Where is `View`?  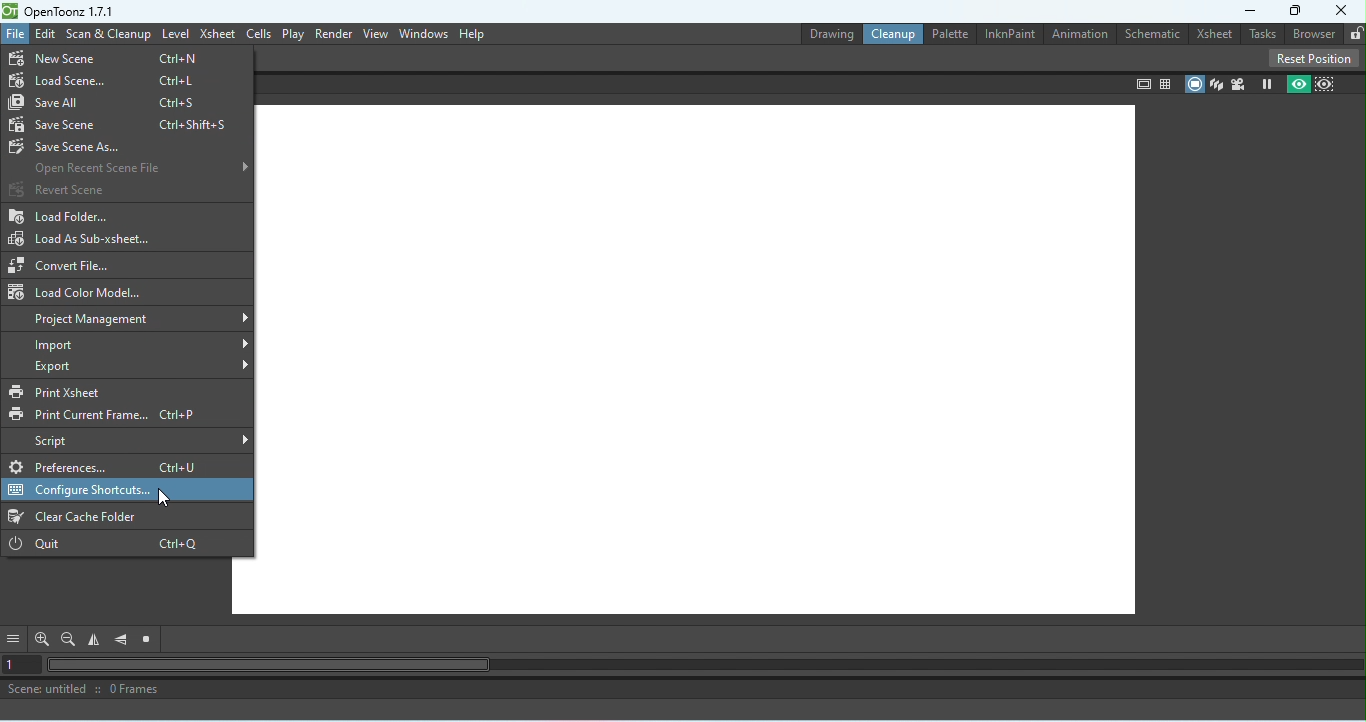 View is located at coordinates (374, 35).